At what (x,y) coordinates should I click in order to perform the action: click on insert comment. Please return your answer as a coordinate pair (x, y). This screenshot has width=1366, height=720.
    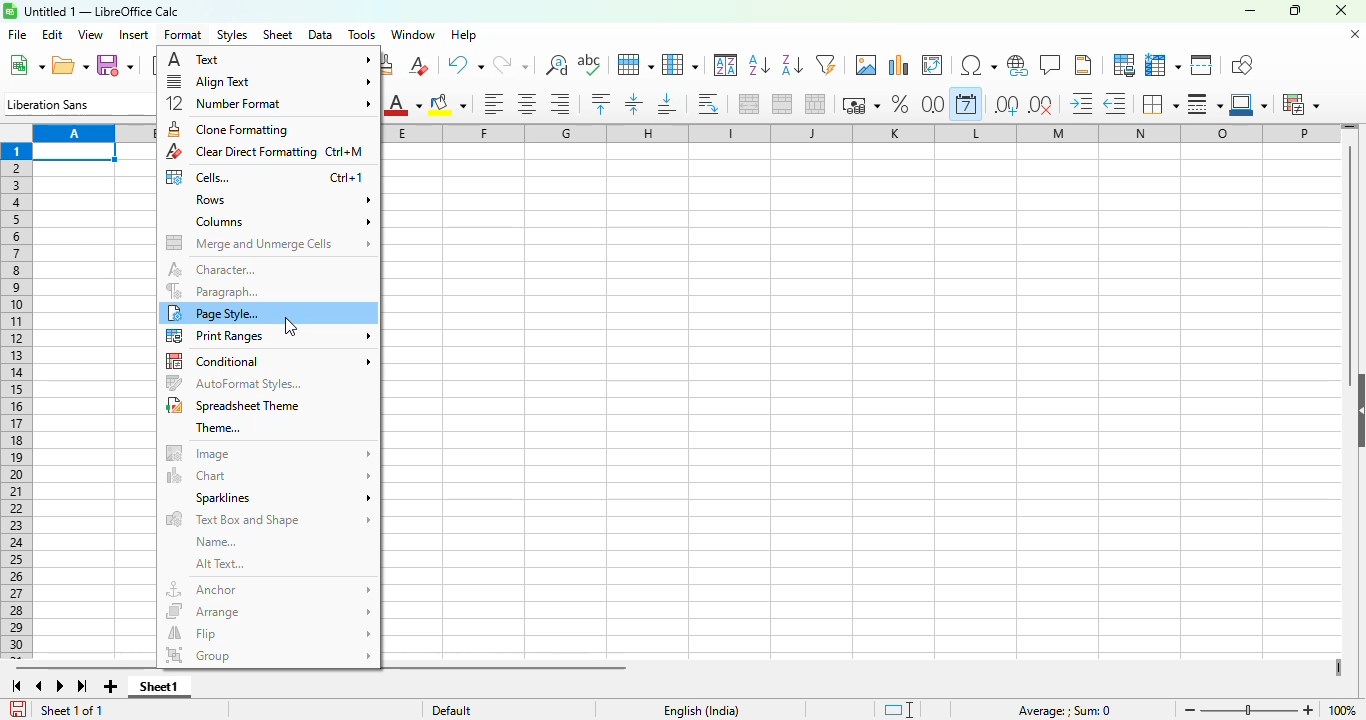
    Looking at the image, I should click on (1052, 64).